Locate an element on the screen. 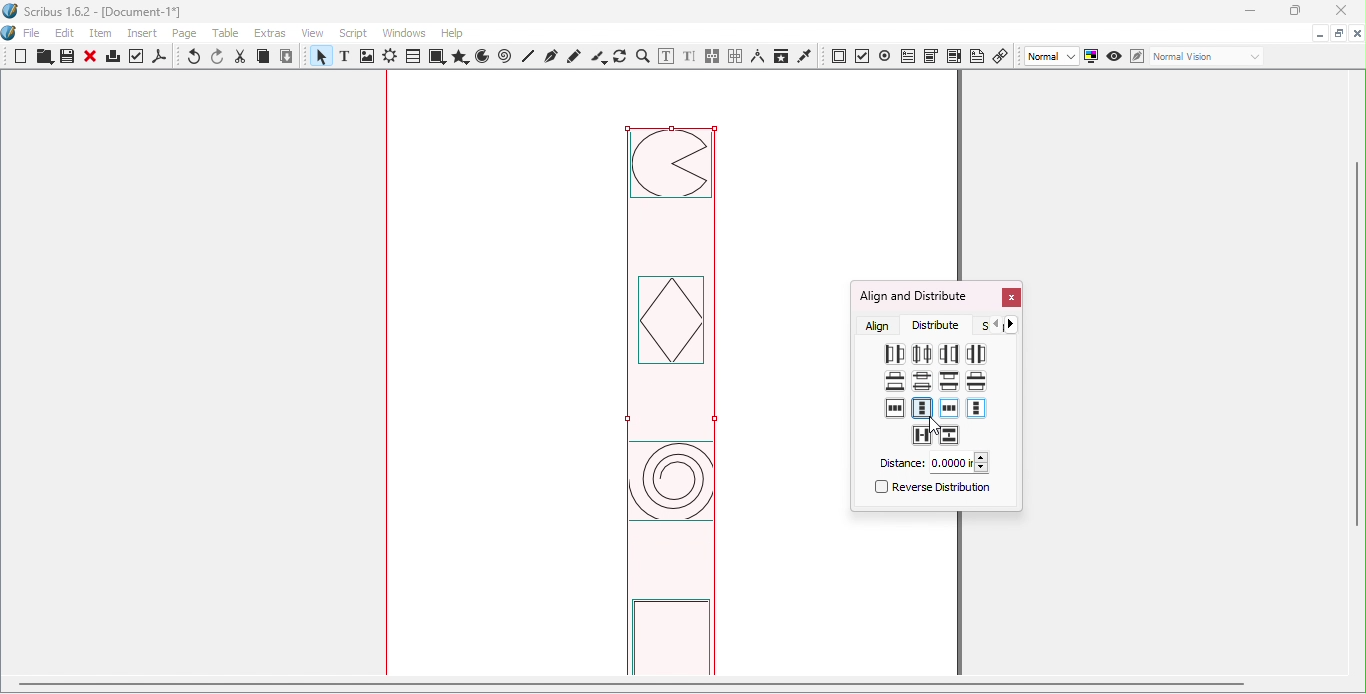 The height and width of the screenshot is (694, 1366). File is located at coordinates (32, 34).